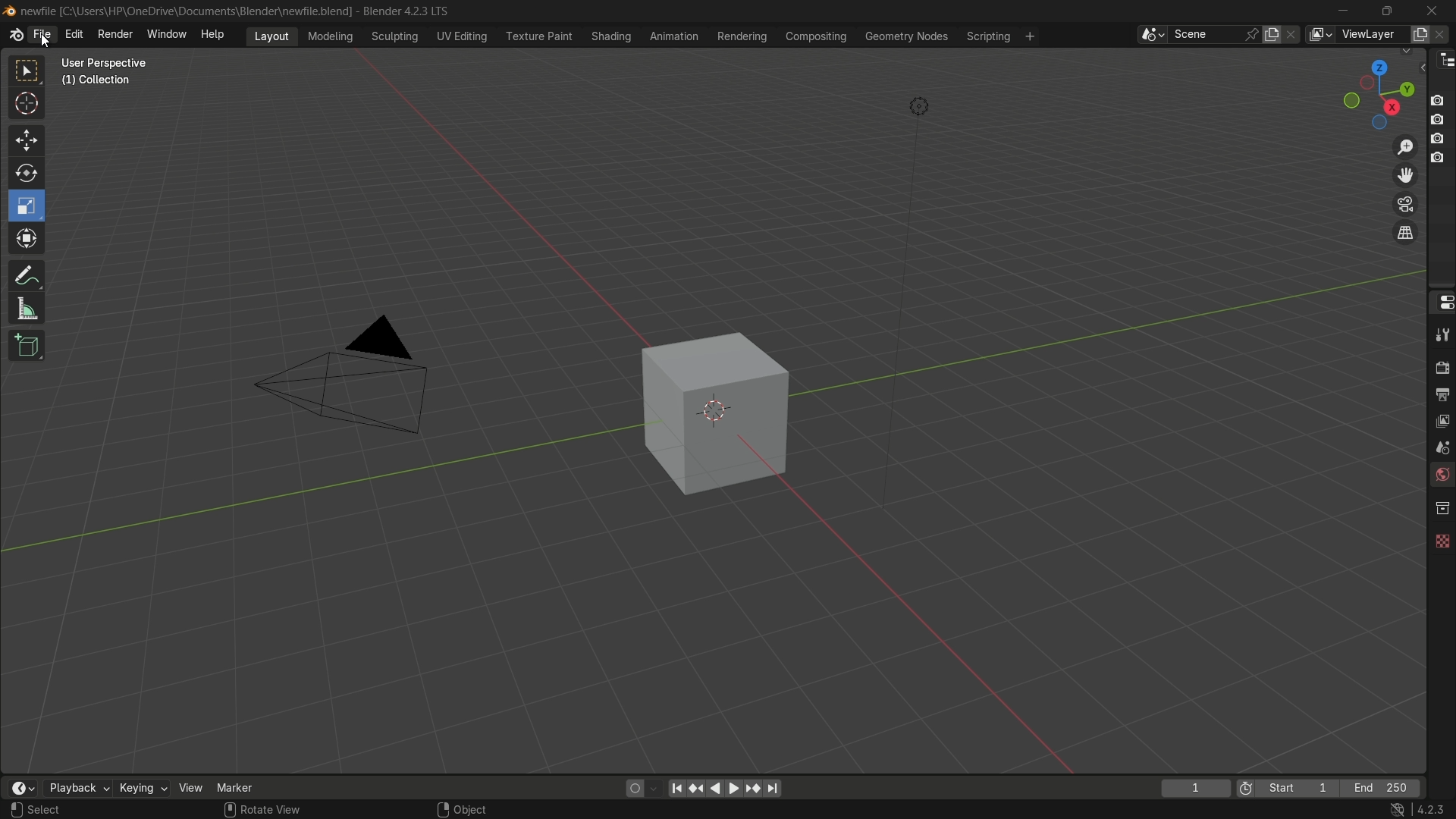 Image resolution: width=1456 pixels, height=819 pixels. Describe the element at coordinates (25, 139) in the screenshot. I see `move` at that location.